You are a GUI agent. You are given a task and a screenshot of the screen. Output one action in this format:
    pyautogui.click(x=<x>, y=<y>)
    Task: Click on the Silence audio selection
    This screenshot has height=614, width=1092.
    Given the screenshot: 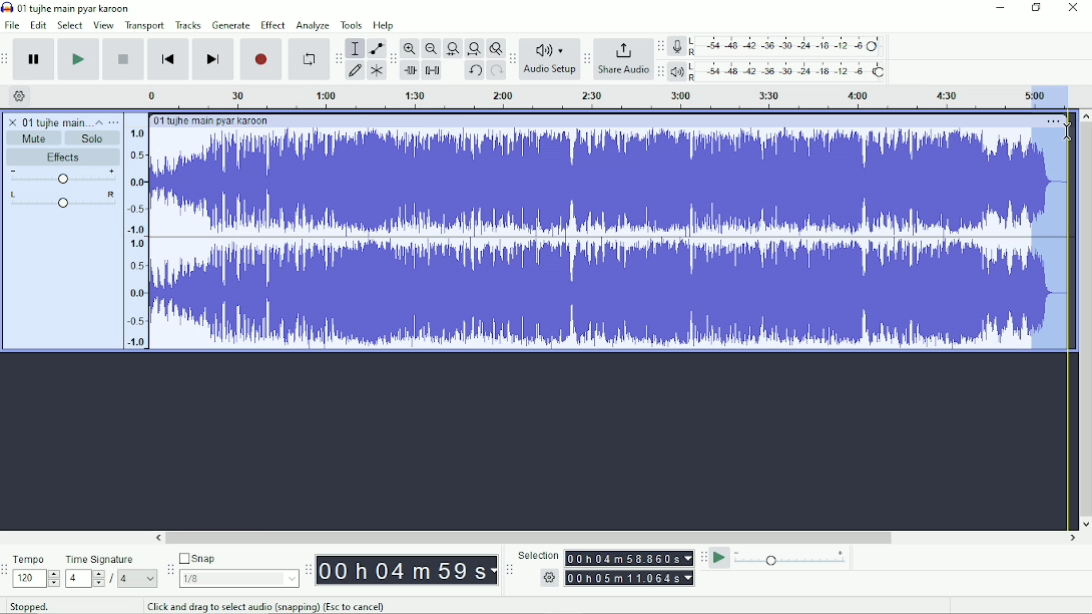 What is the action you would take?
    pyautogui.click(x=433, y=70)
    